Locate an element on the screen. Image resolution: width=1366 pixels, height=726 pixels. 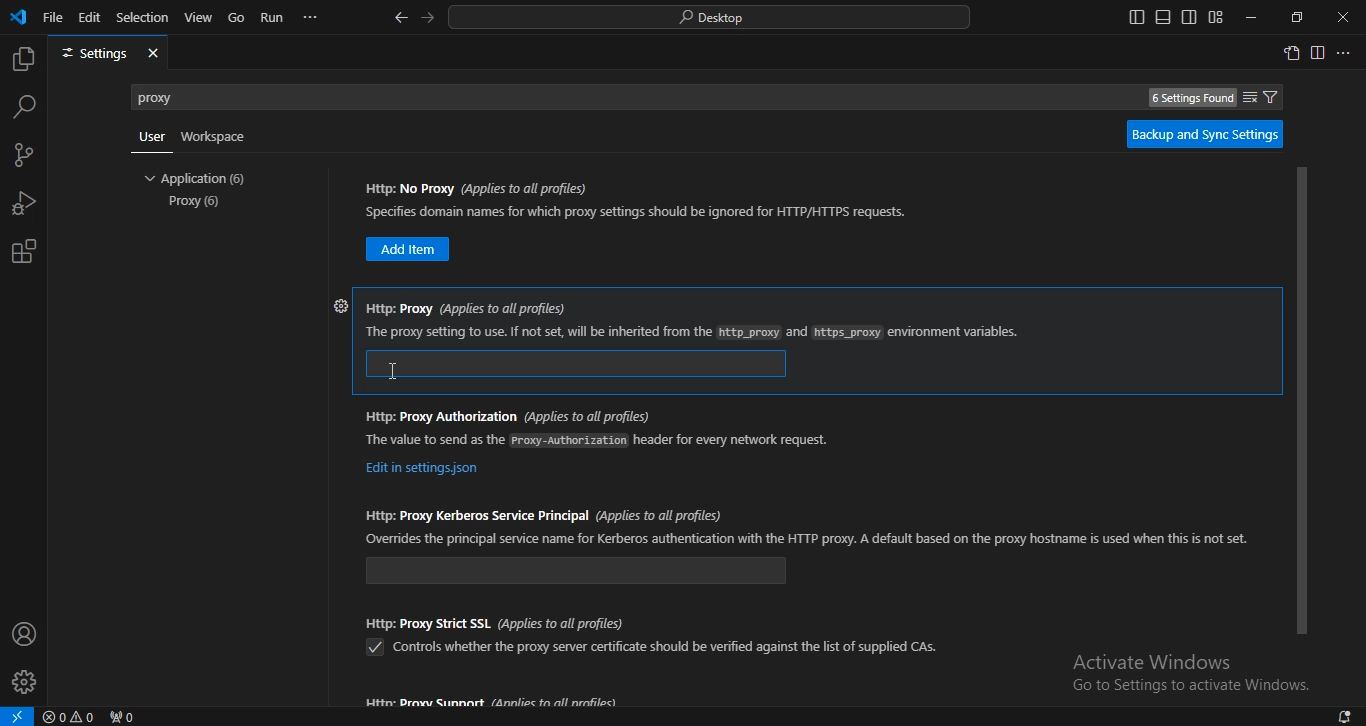
go back is located at coordinates (402, 18).